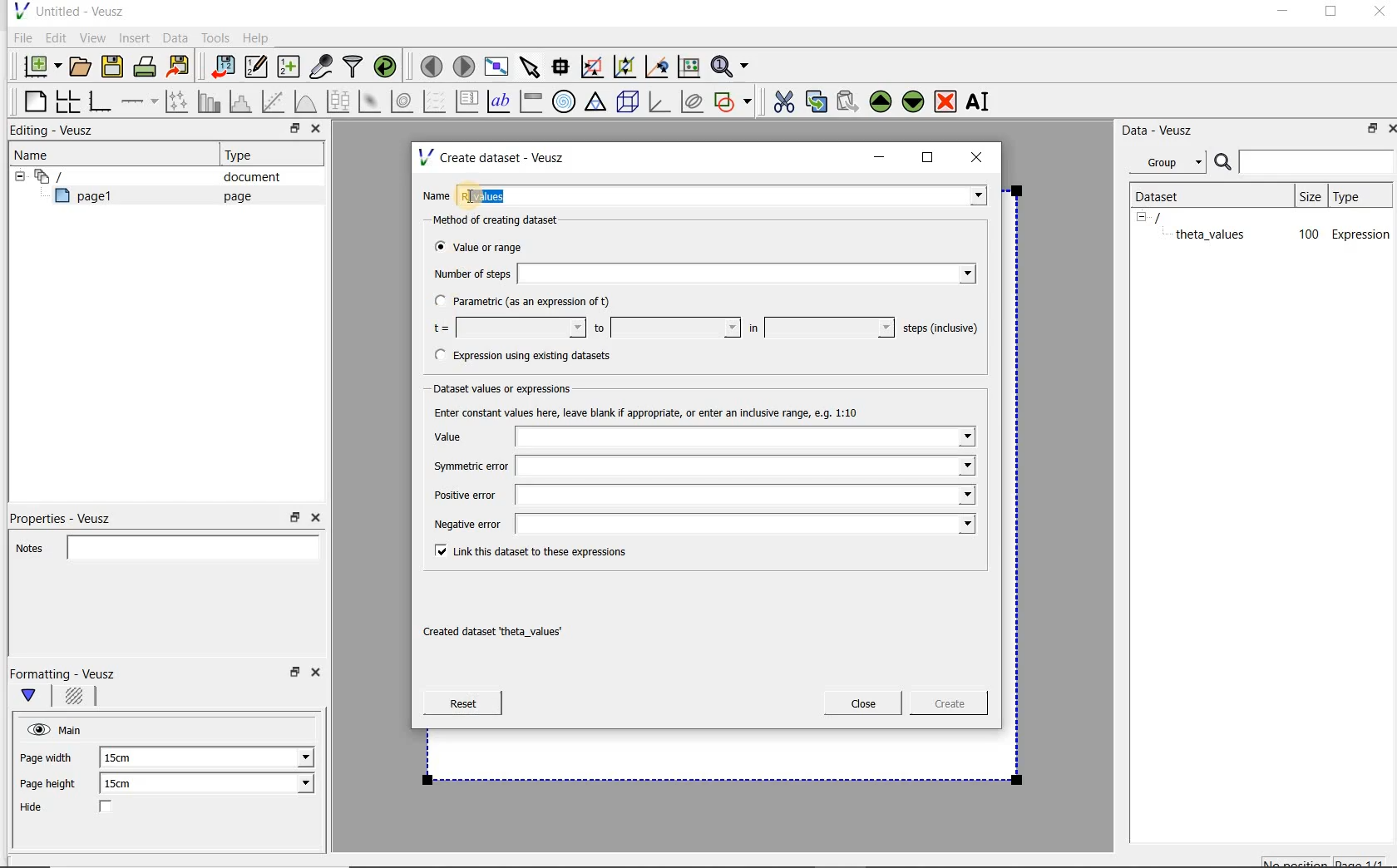 Image resolution: width=1397 pixels, height=868 pixels. Describe the element at coordinates (126, 758) in the screenshot. I see `15cm` at that location.